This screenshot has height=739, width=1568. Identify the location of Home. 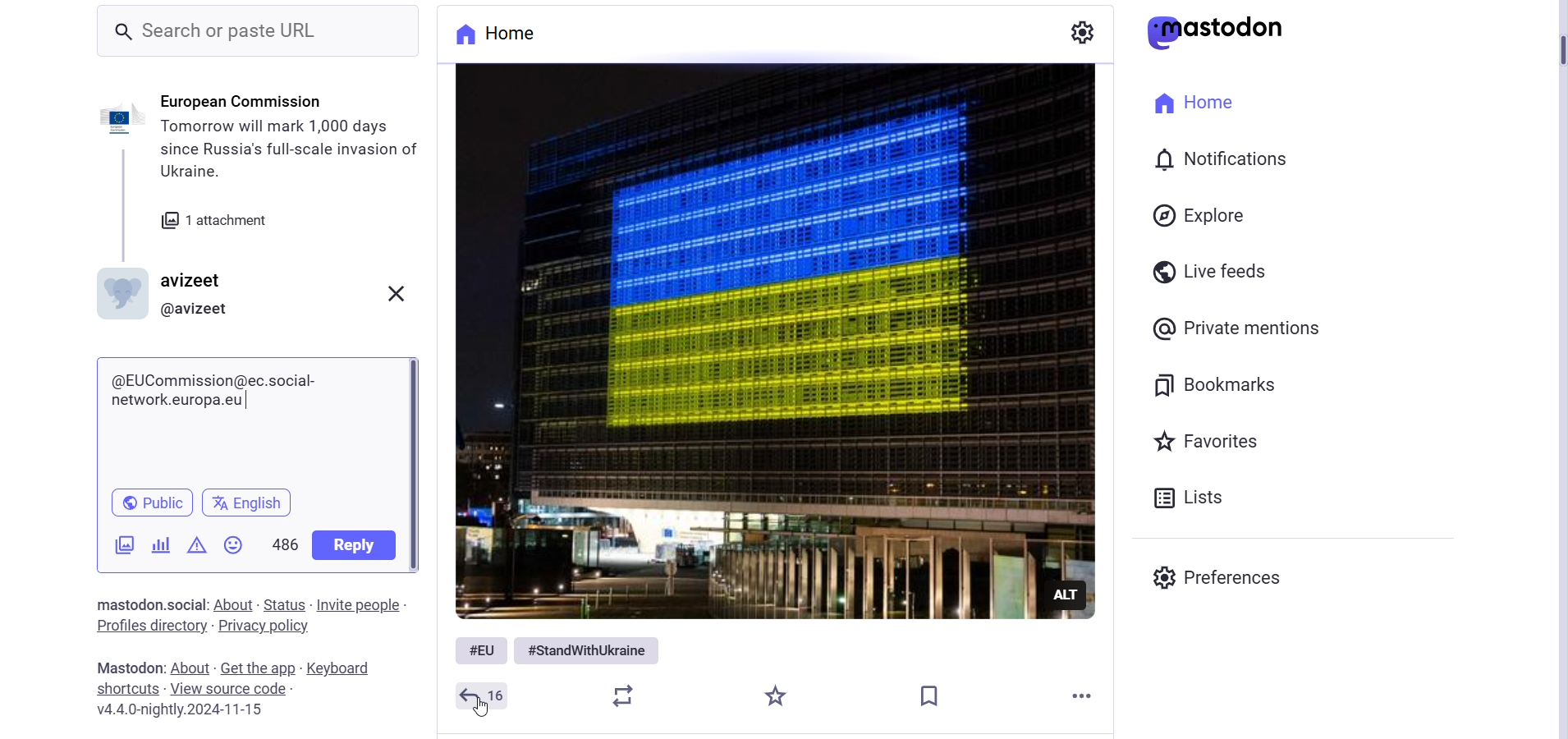
(512, 34).